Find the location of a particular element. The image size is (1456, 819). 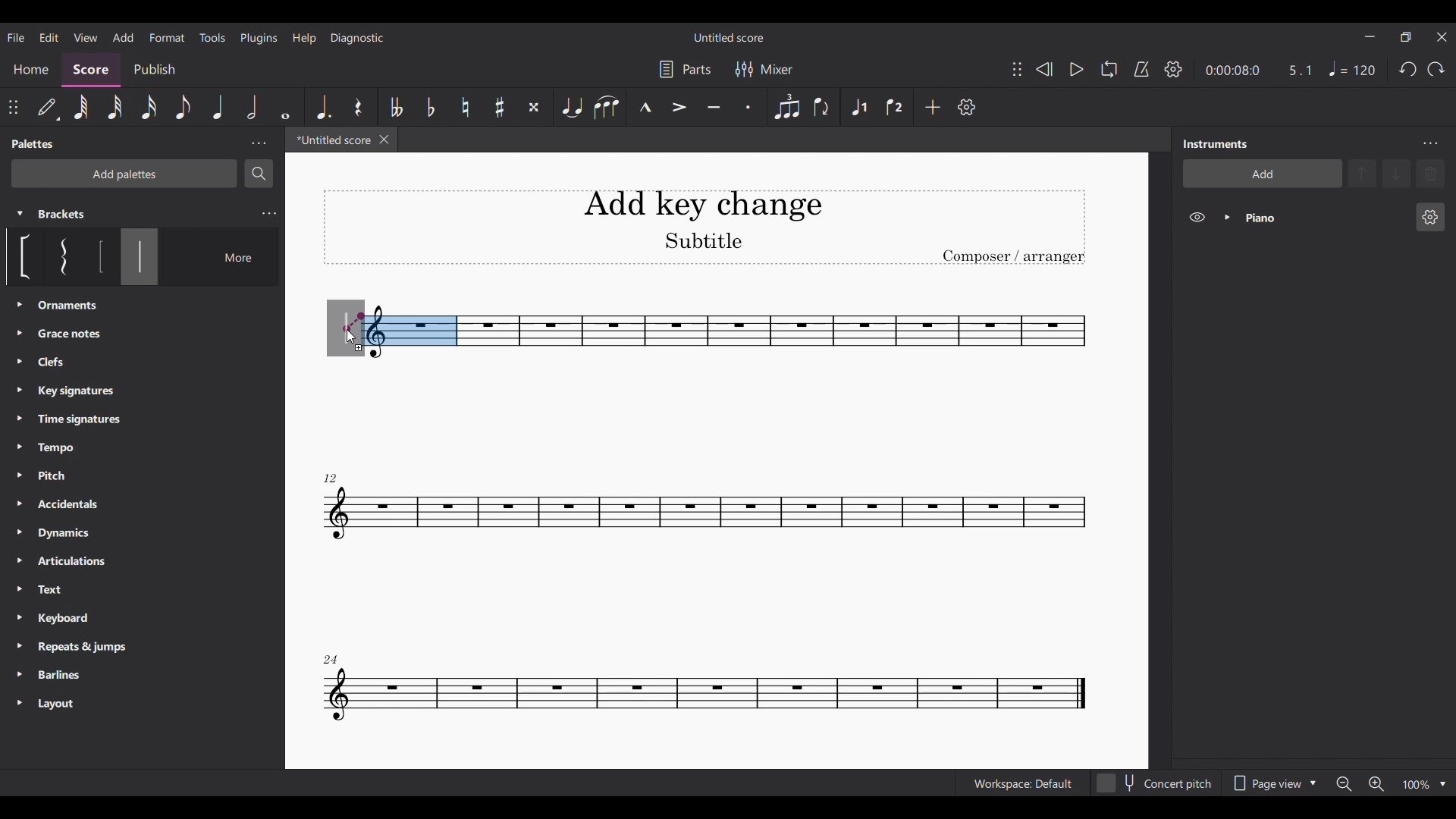

Metronome is located at coordinates (1141, 69).